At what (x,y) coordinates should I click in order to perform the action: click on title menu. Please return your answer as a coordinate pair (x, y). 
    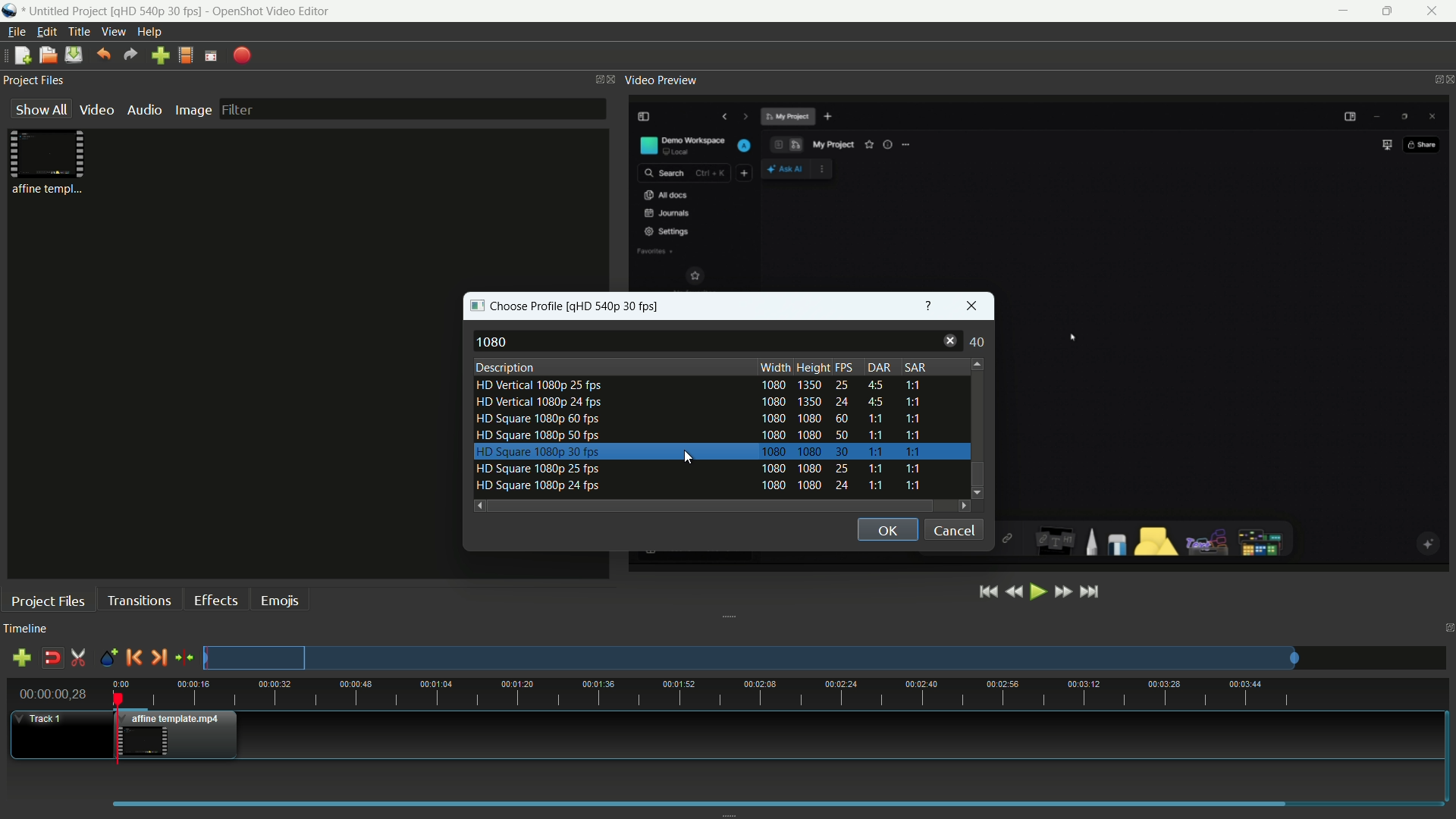
    Looking at the image, I should click on (80, 32).